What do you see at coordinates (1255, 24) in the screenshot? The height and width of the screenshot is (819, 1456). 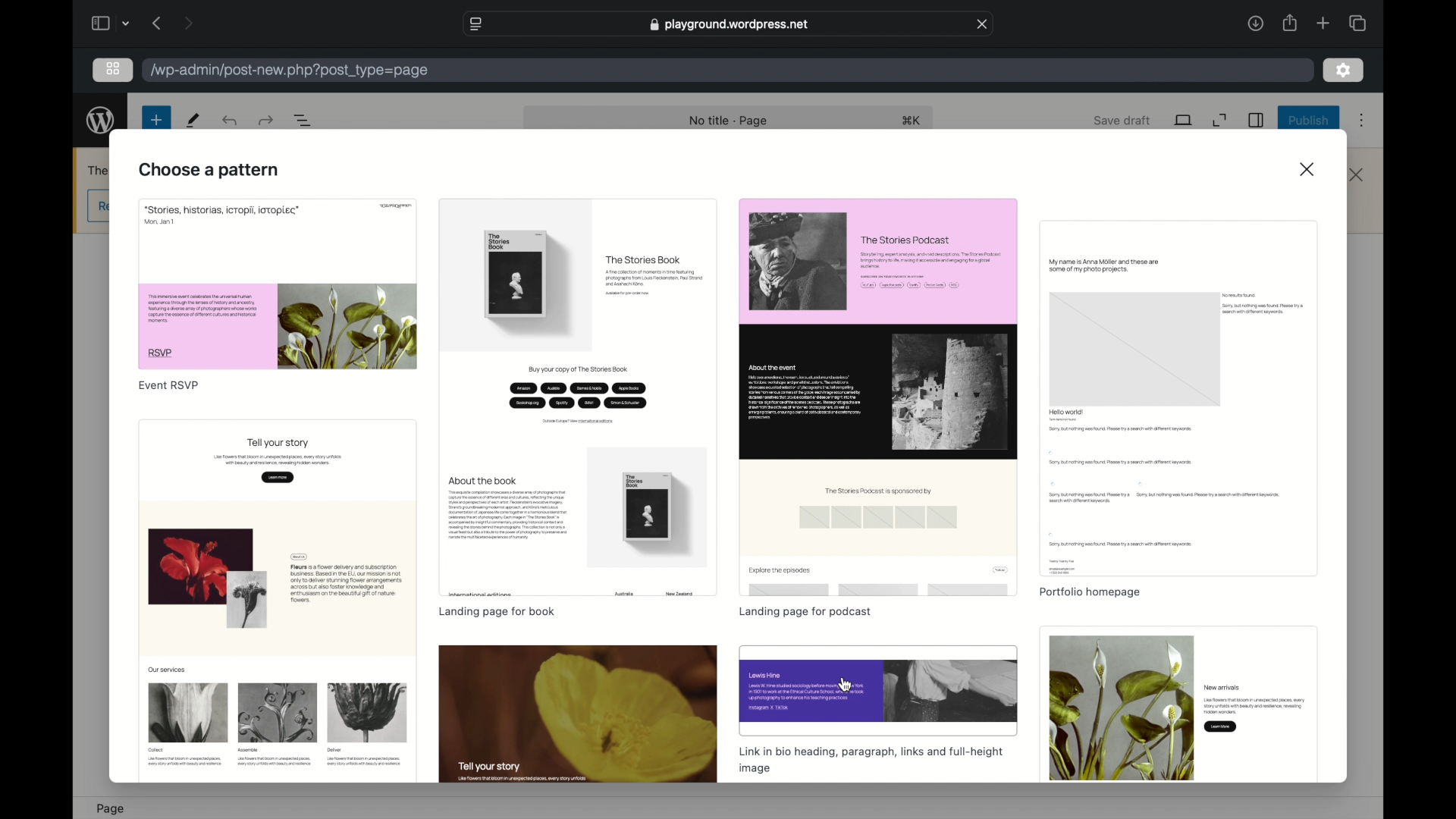 I see `downloads` at bounding box center [1255, 24].